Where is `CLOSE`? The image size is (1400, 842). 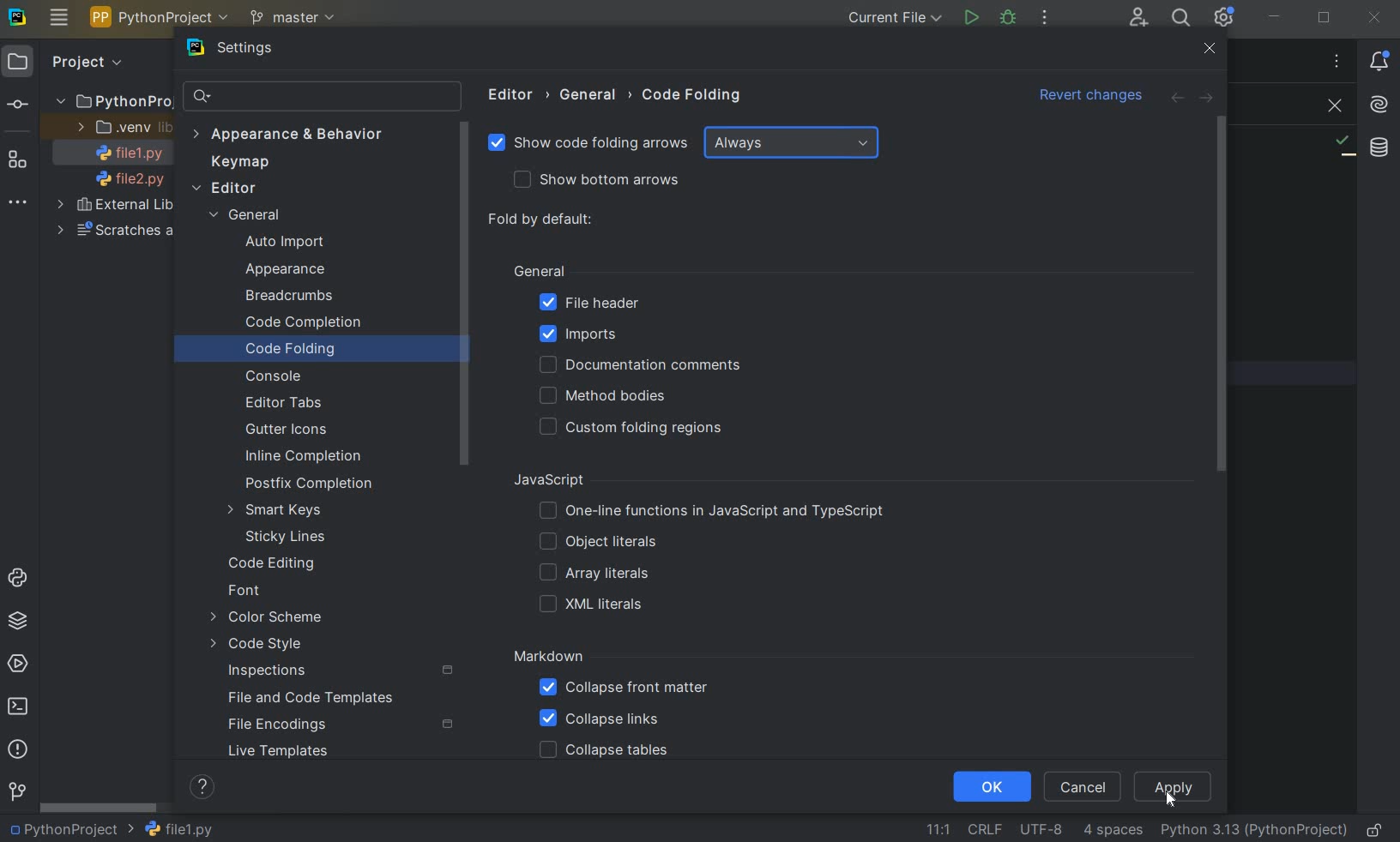
CLOSE is located at coordinates (1331, 106).